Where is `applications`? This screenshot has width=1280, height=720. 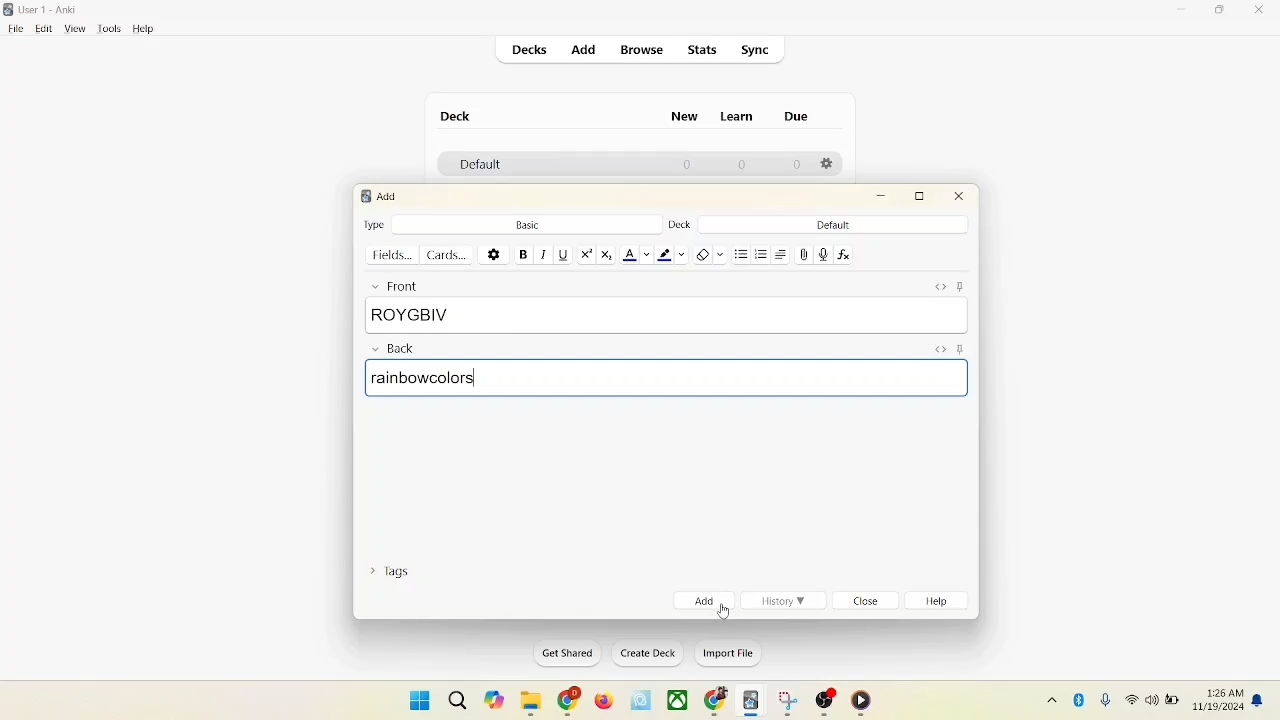
applications is located at coordinates (678, 701).